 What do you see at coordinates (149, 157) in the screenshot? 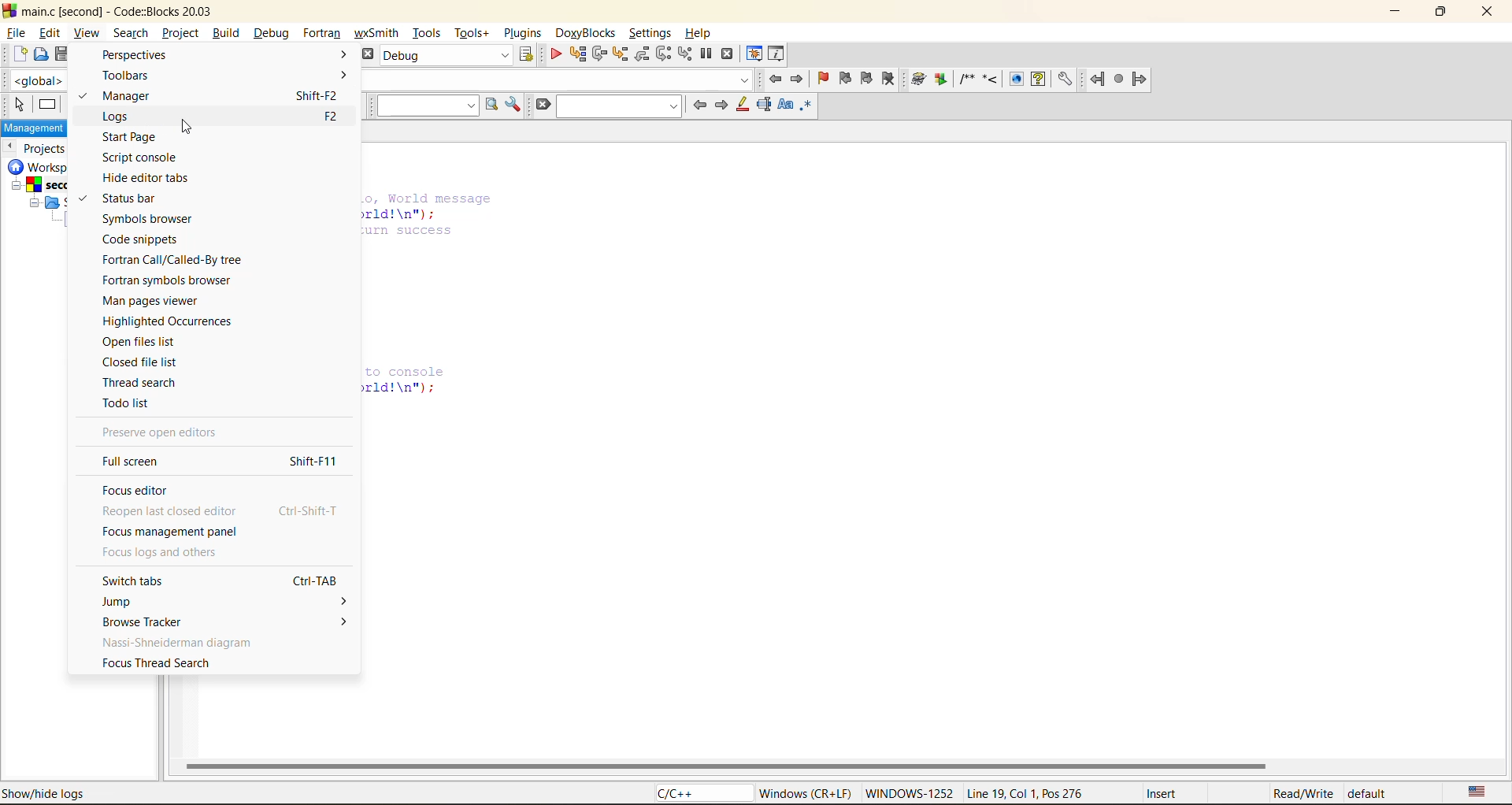
I see `script console` at bounding box center [149, 157].